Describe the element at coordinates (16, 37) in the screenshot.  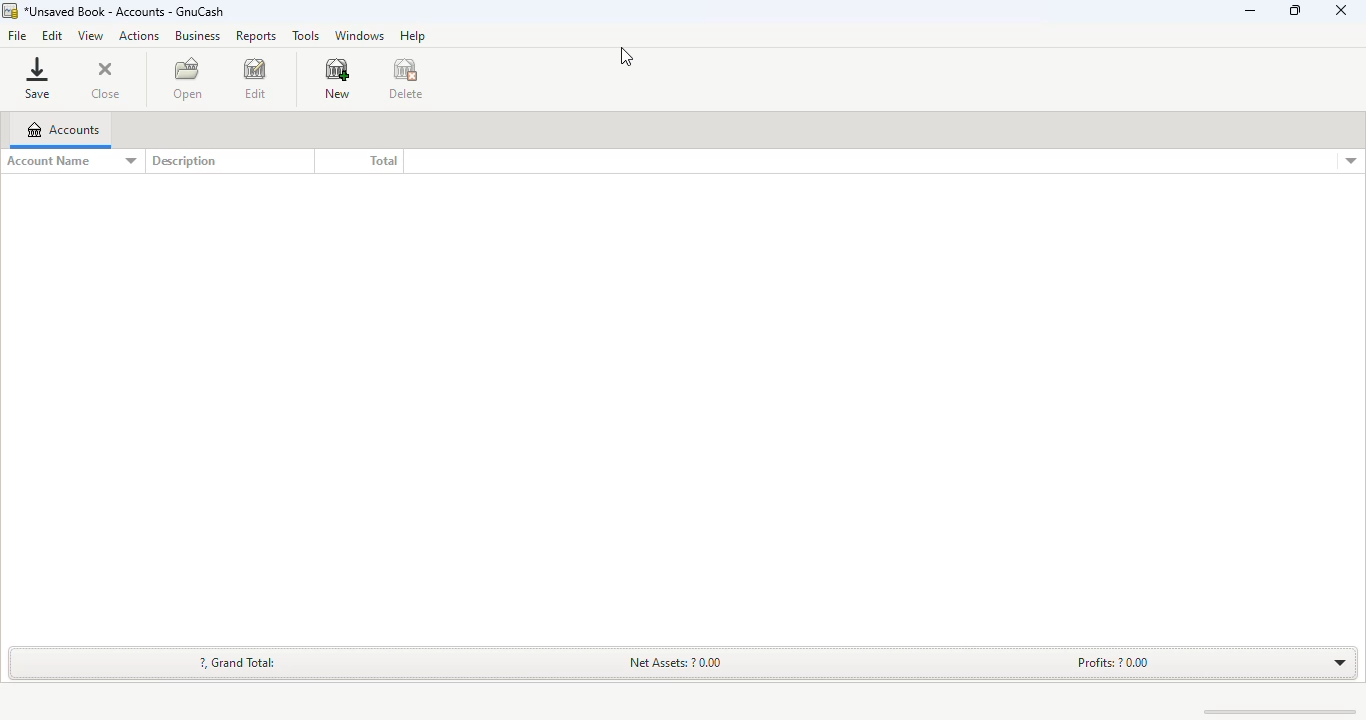
I see `file` at that location.